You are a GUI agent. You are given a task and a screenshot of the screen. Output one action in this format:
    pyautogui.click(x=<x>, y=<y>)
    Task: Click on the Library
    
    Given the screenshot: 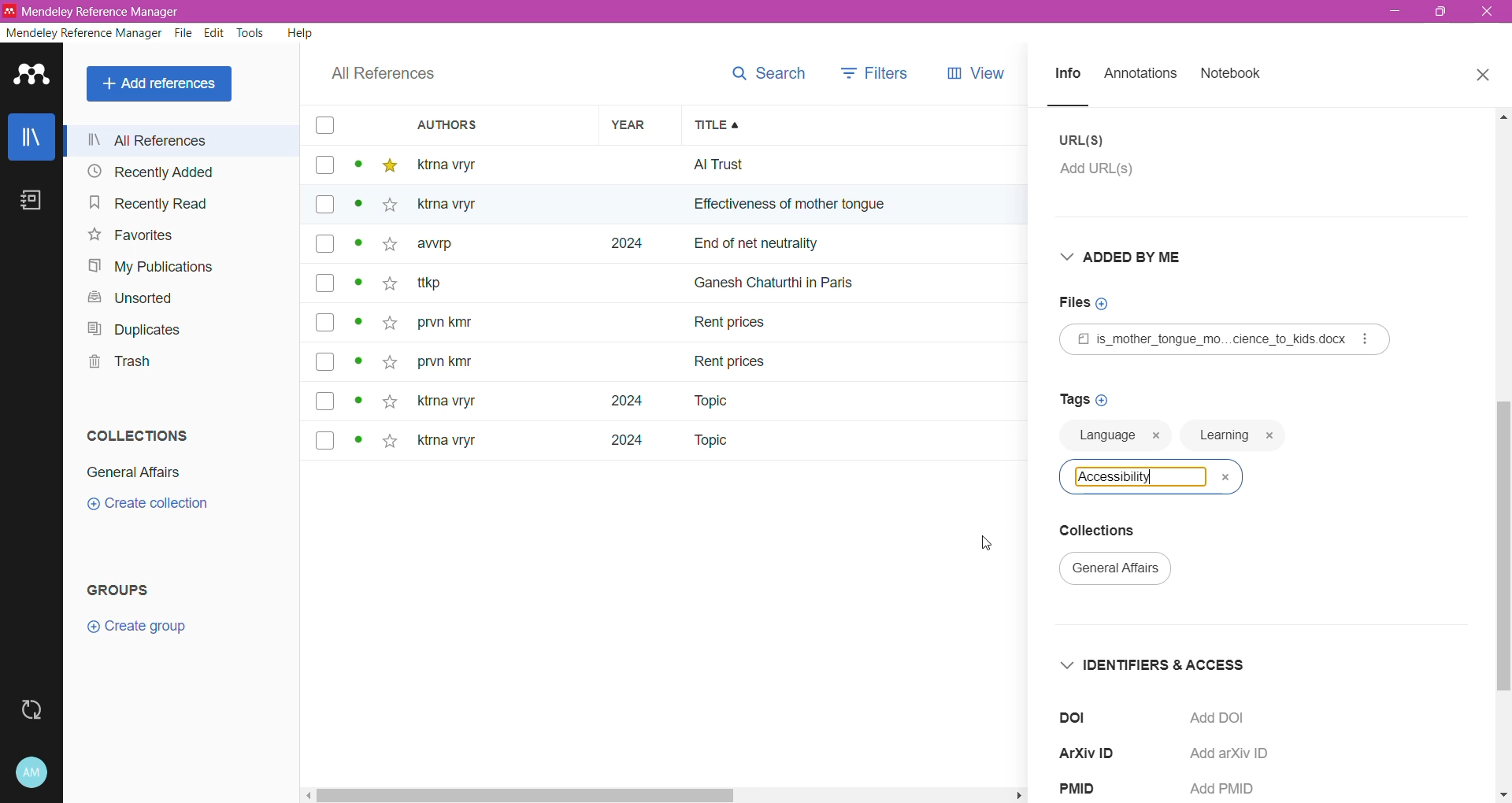 What is the action you would take?
    pyautogui.click(x=31, y=136)
    